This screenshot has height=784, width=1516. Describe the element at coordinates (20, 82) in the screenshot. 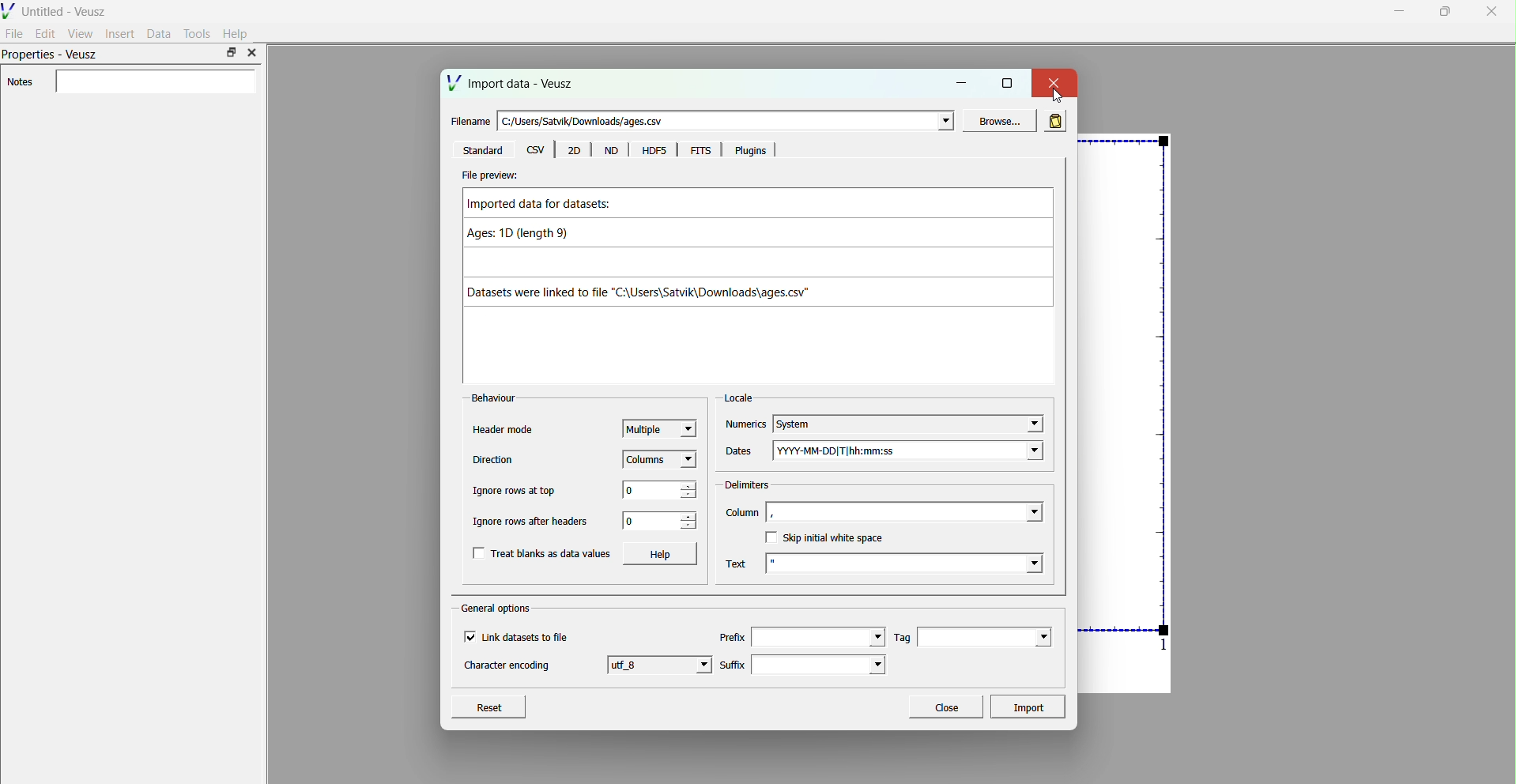

I see `Notes` at that location.